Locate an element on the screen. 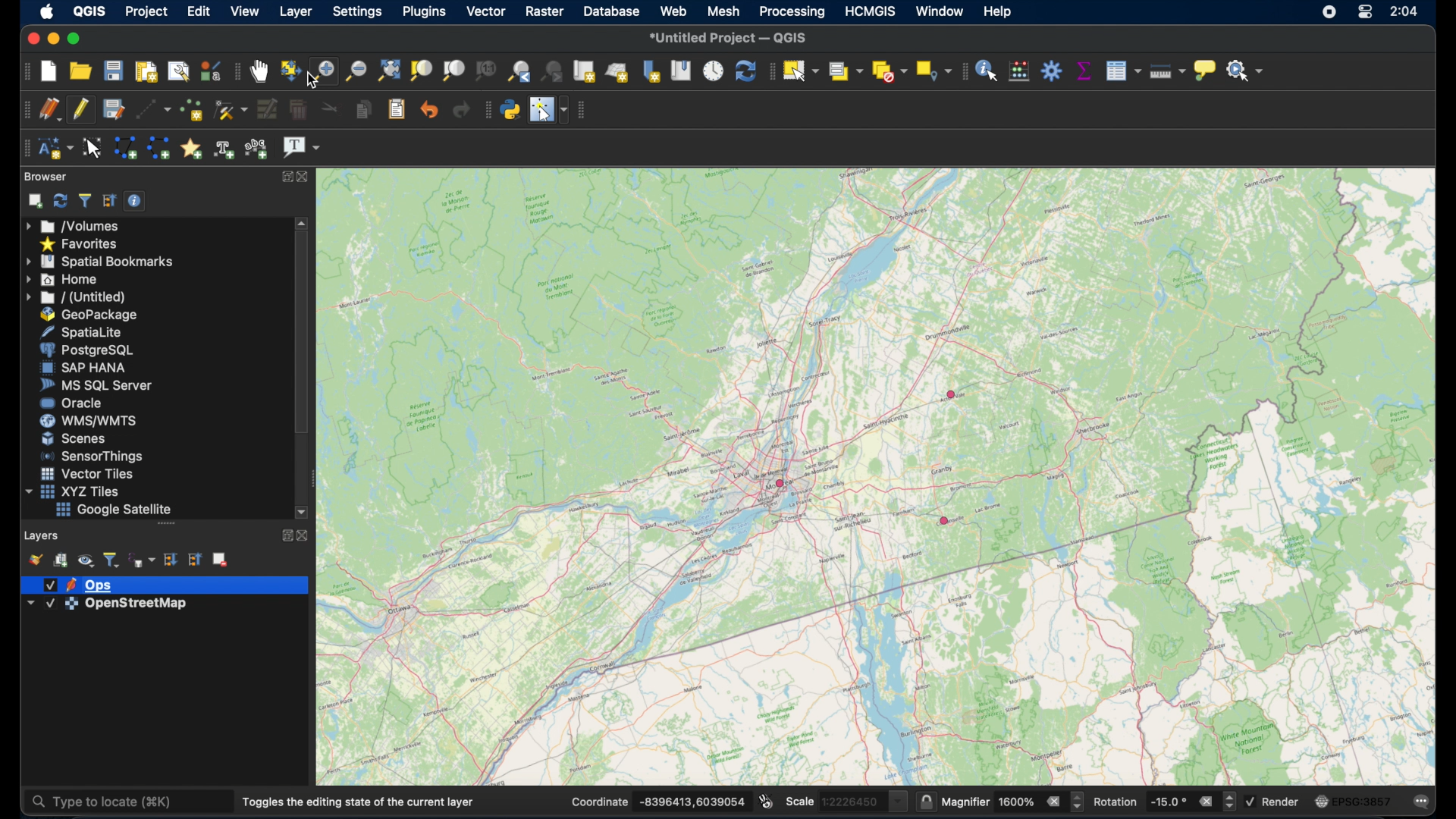 This screenshot has width=1456, height=819. open street map is located at coordinates (1181, 435).